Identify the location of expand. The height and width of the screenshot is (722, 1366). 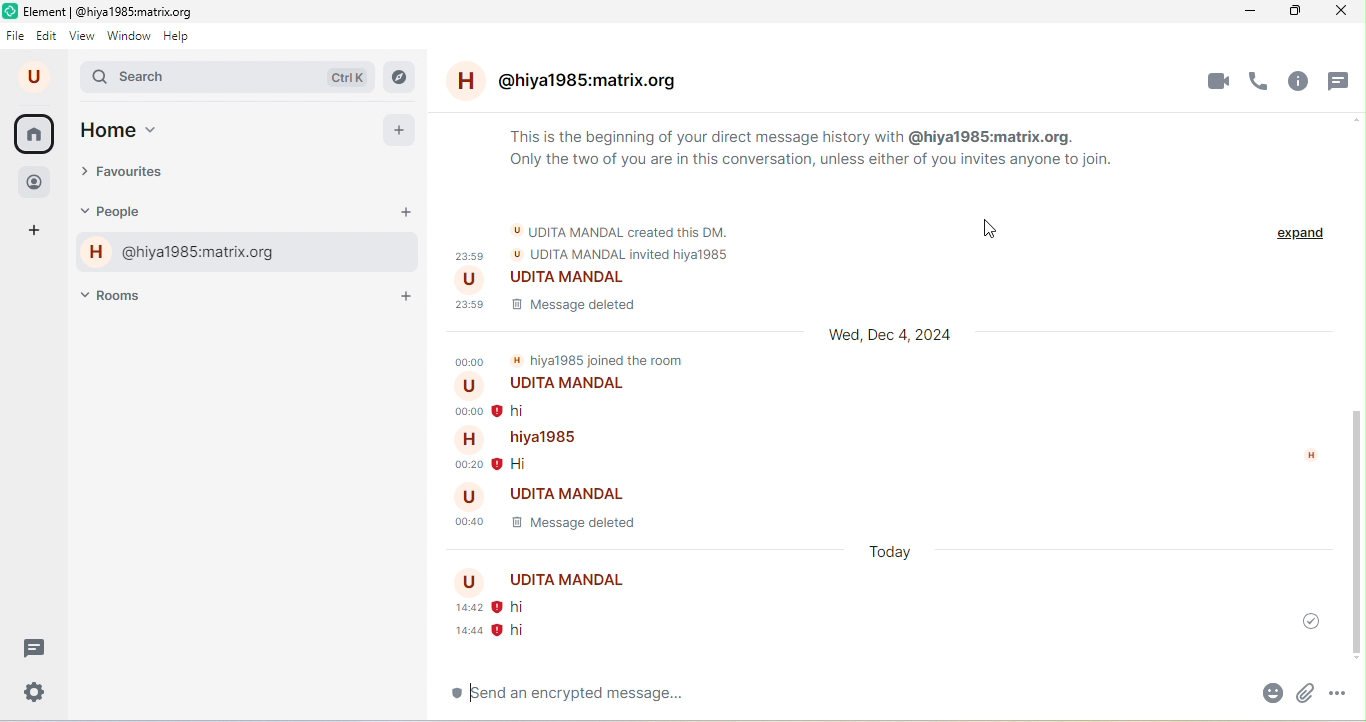
(1296, 238).